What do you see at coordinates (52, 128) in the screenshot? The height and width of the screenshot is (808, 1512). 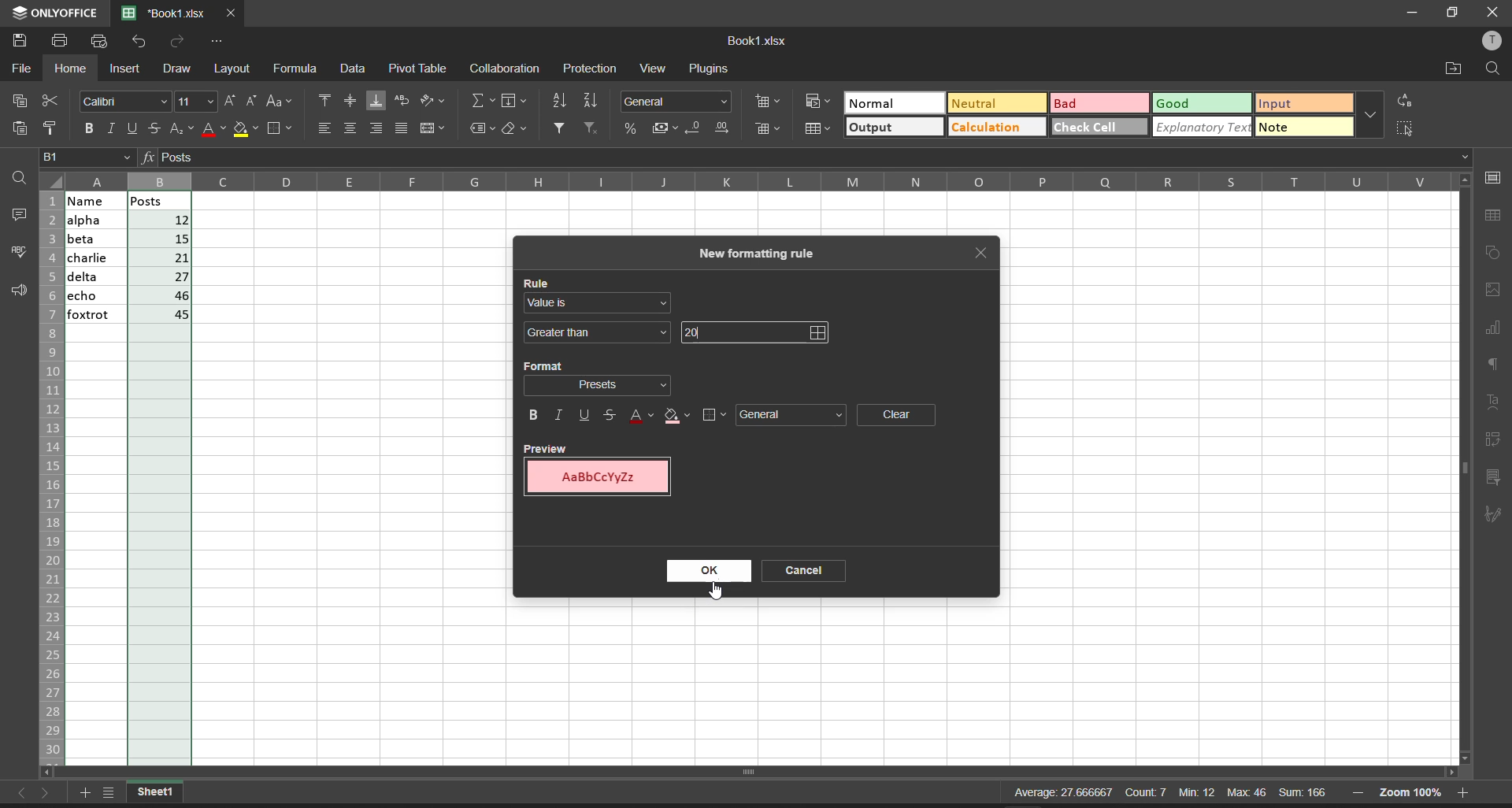 I see `copy style` at bounding box center [52, 128].